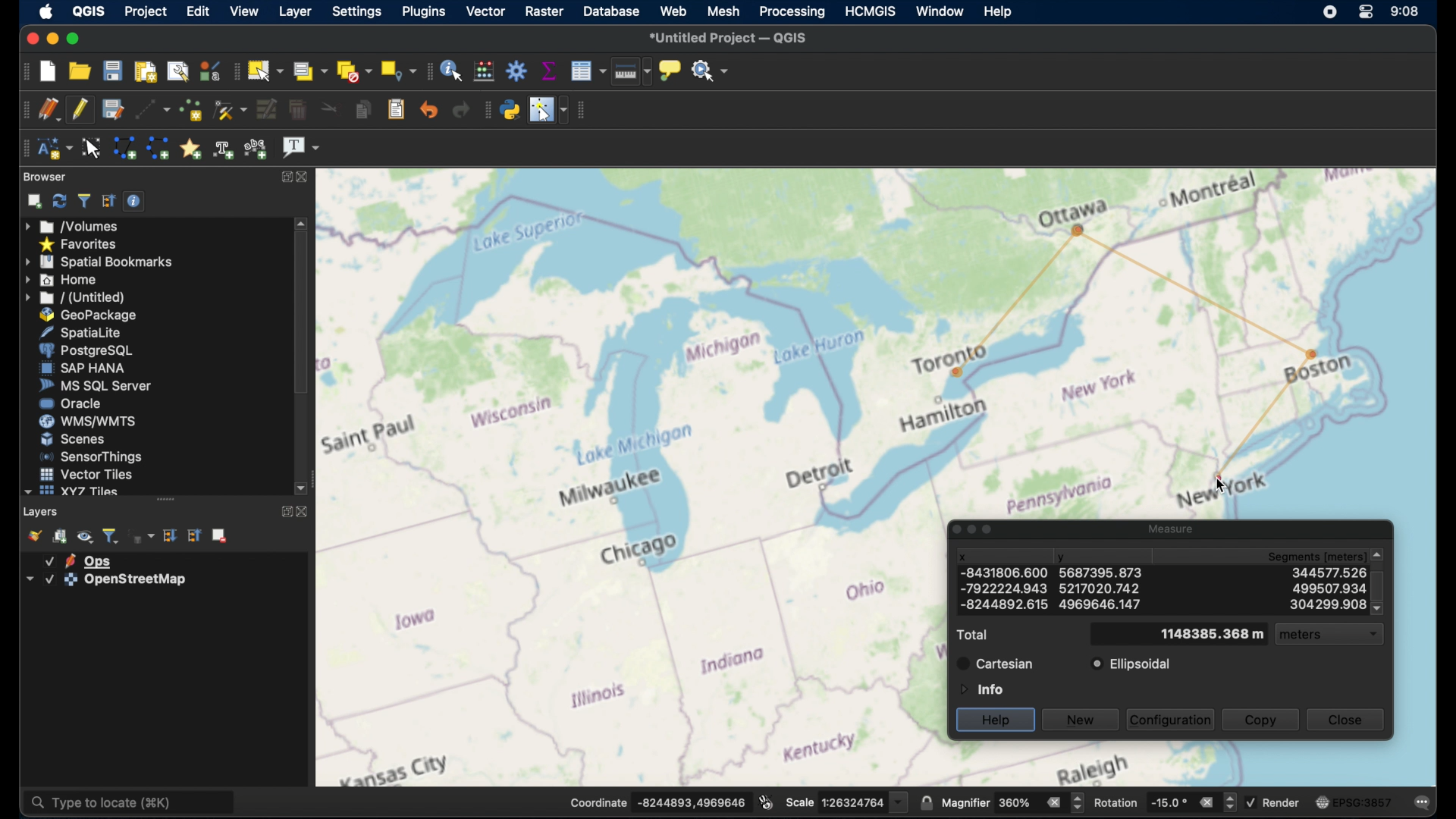  I want to click on python console, so click(510, 108).